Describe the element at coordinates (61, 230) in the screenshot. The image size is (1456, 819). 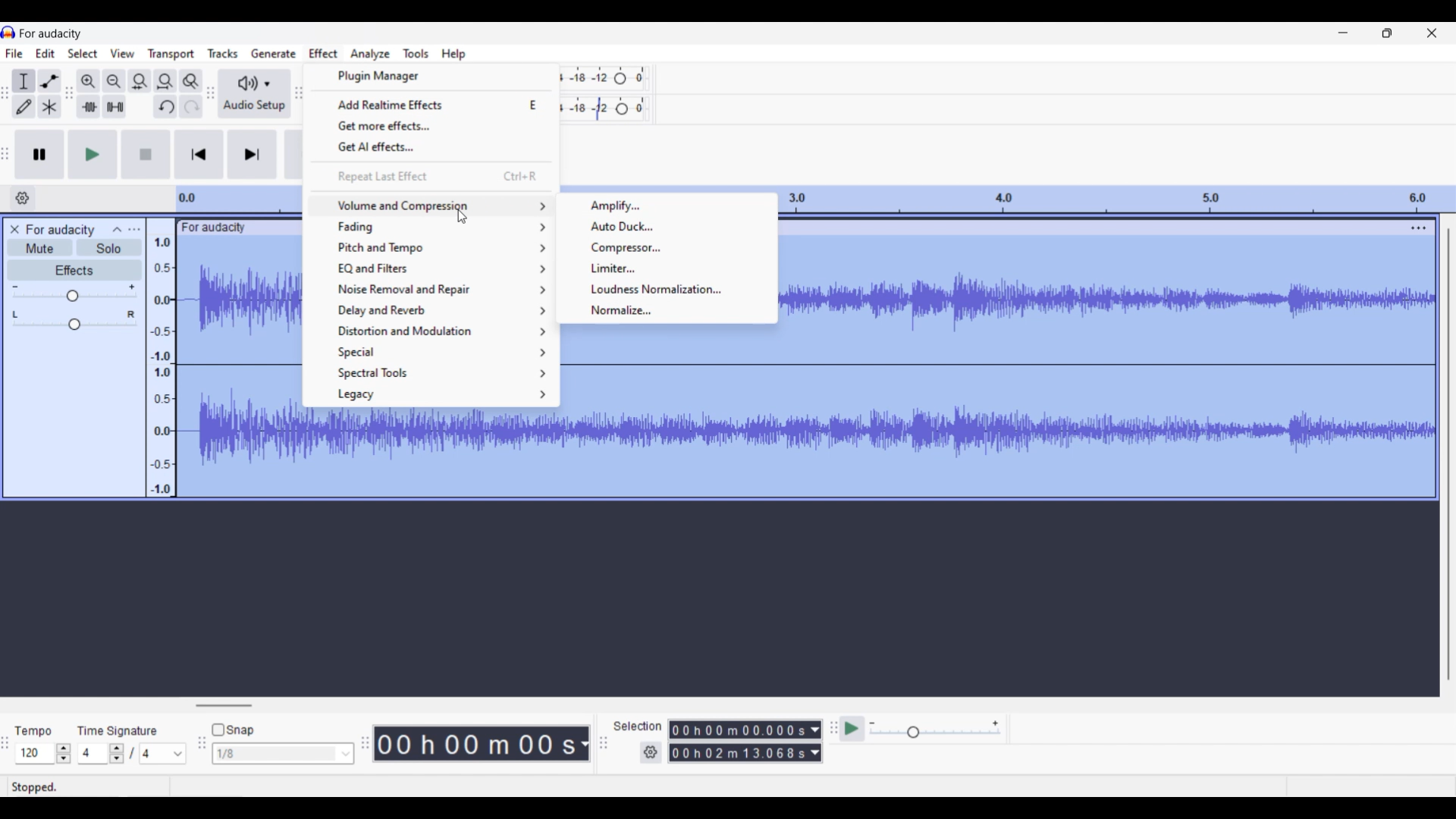
I see `Project name` at that location.